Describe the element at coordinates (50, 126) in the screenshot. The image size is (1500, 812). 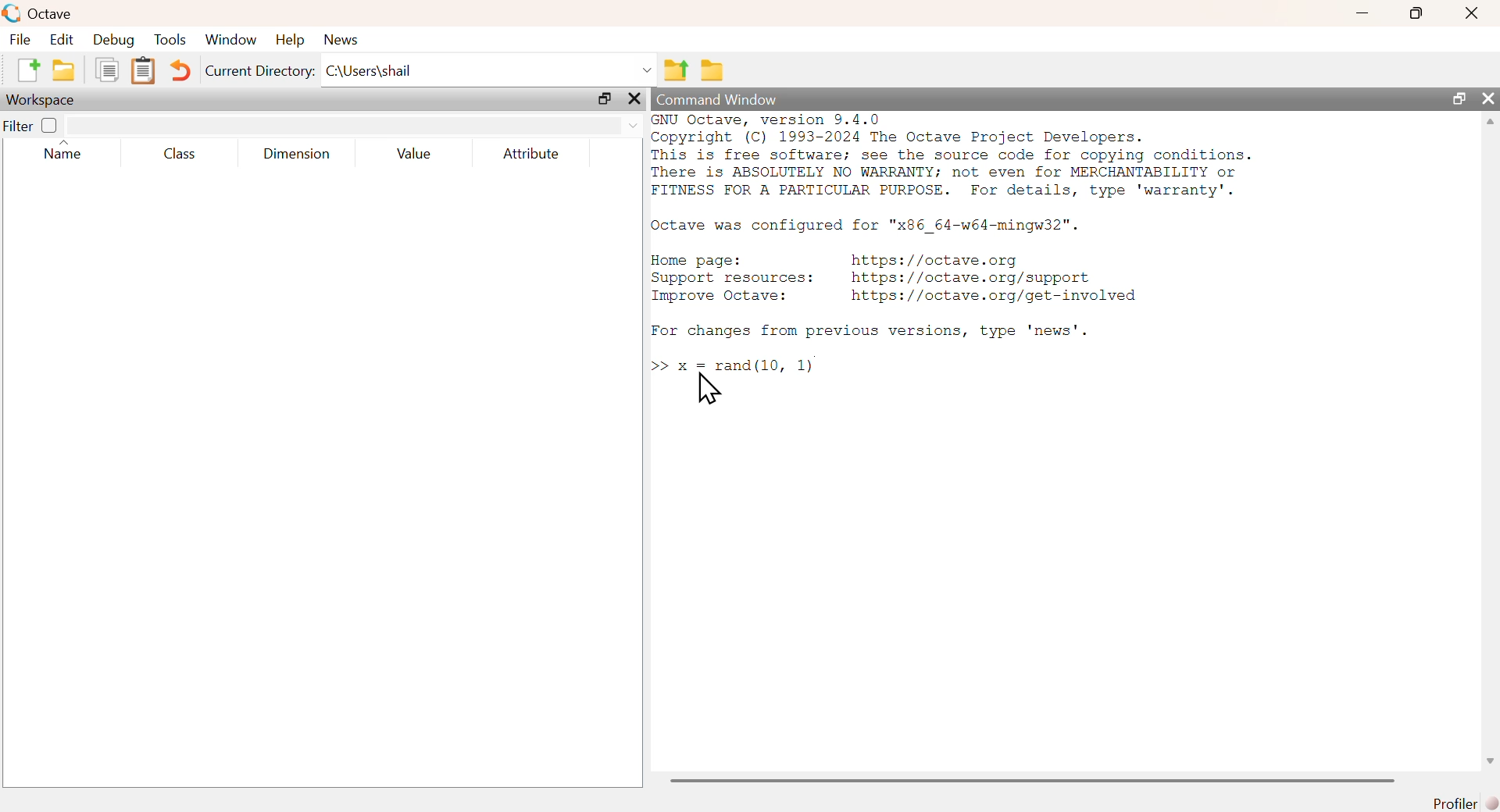
I see `off` at that location.